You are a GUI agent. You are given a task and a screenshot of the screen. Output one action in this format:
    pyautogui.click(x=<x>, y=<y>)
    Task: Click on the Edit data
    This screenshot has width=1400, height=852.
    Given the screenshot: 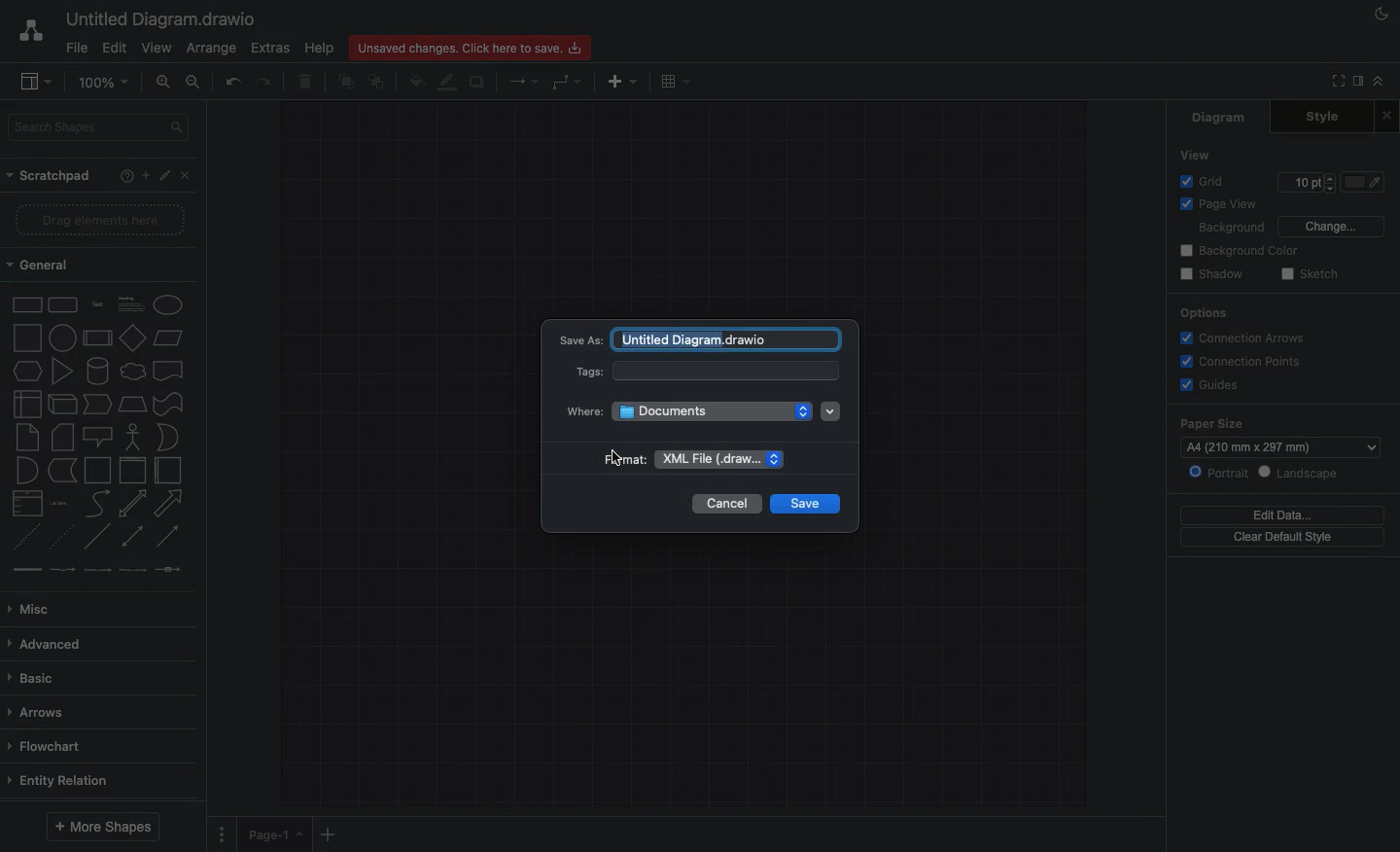 What is the action you would take?
    pyautogui.click(x=1286, y=514)
    